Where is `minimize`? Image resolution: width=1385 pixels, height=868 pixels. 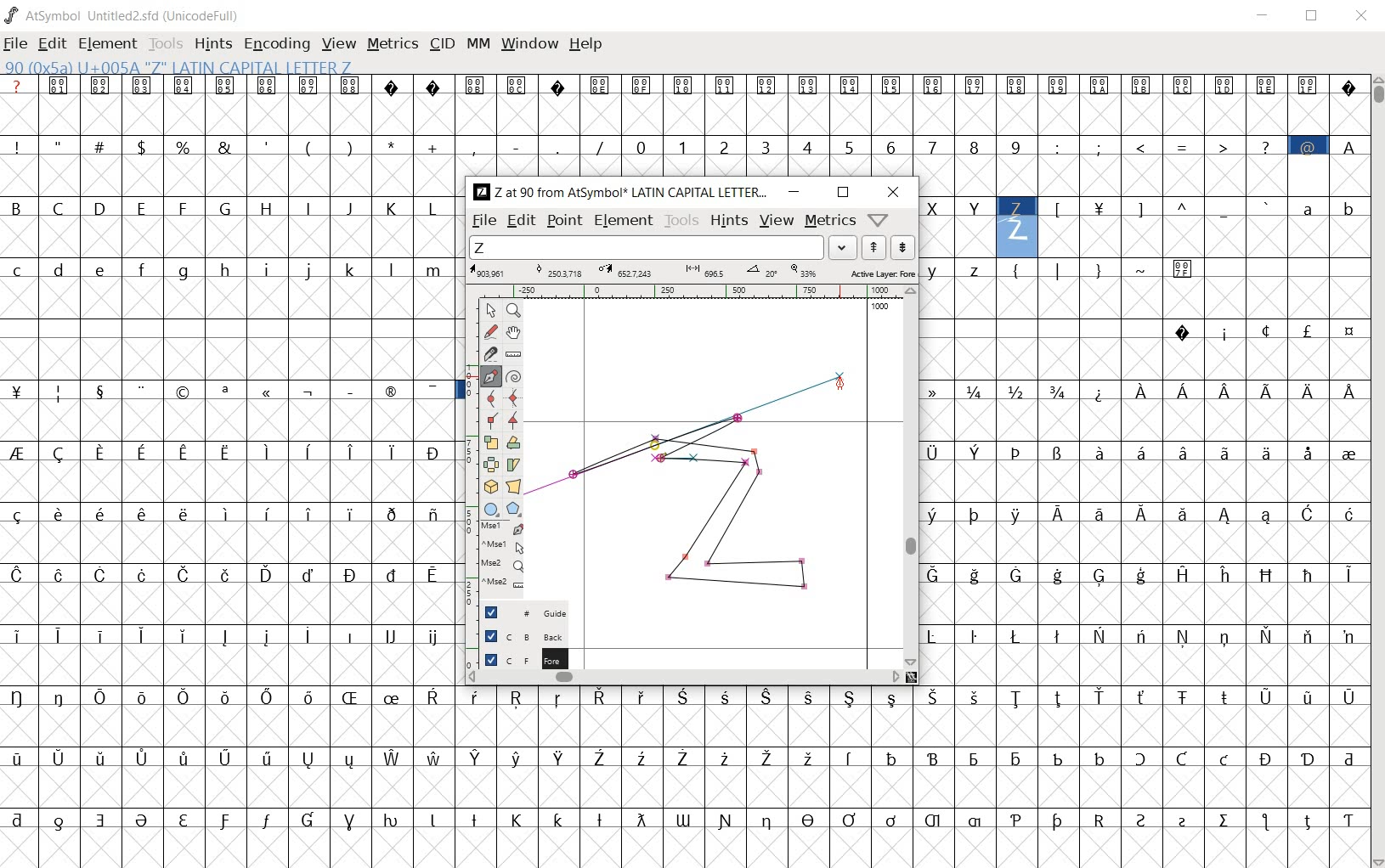 minimize is located at coordinates (1266, 18).